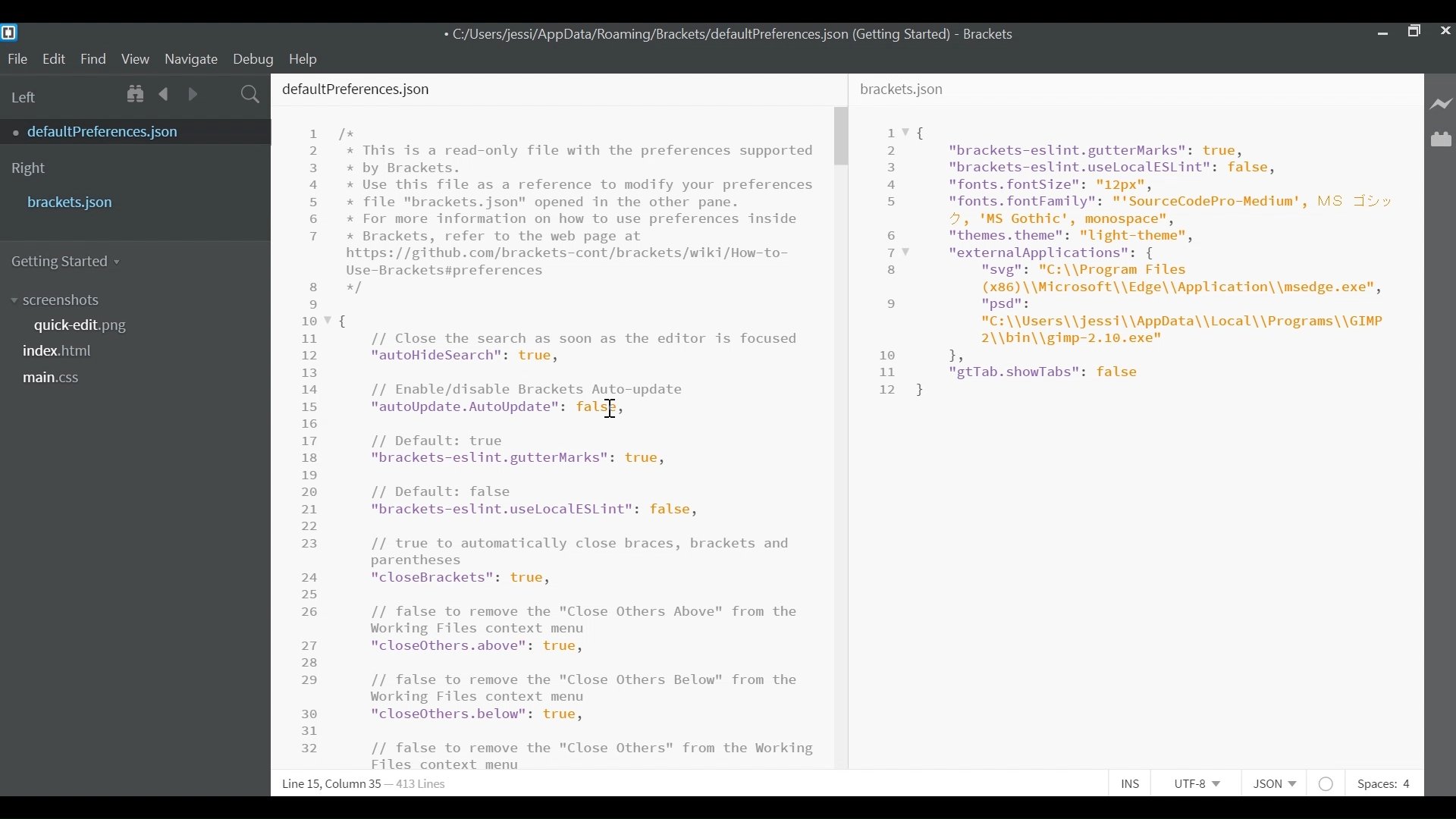 The width and height of the screenshot is (1456, 819). I want to click on Screenshot, so click(58, 301).